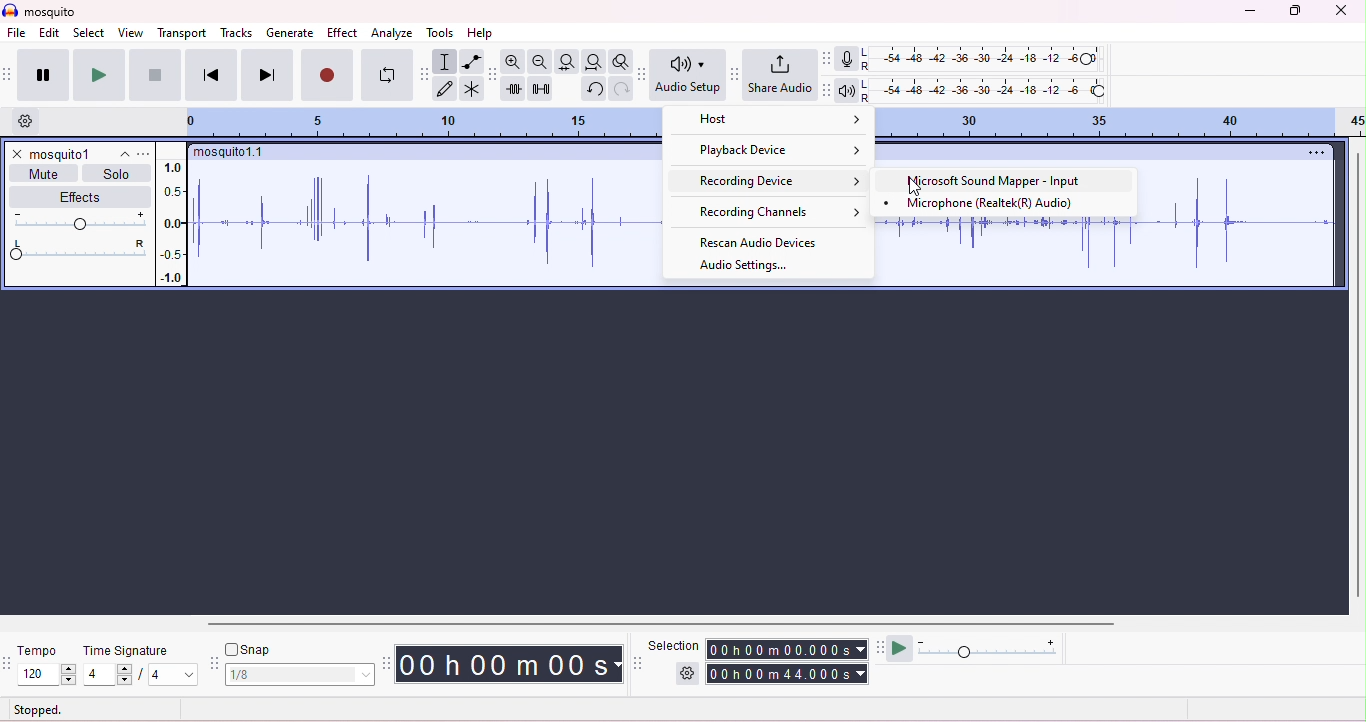 The height and width of the screenshot is (722, 1366). I want to click on timeline, so click(433, 123).